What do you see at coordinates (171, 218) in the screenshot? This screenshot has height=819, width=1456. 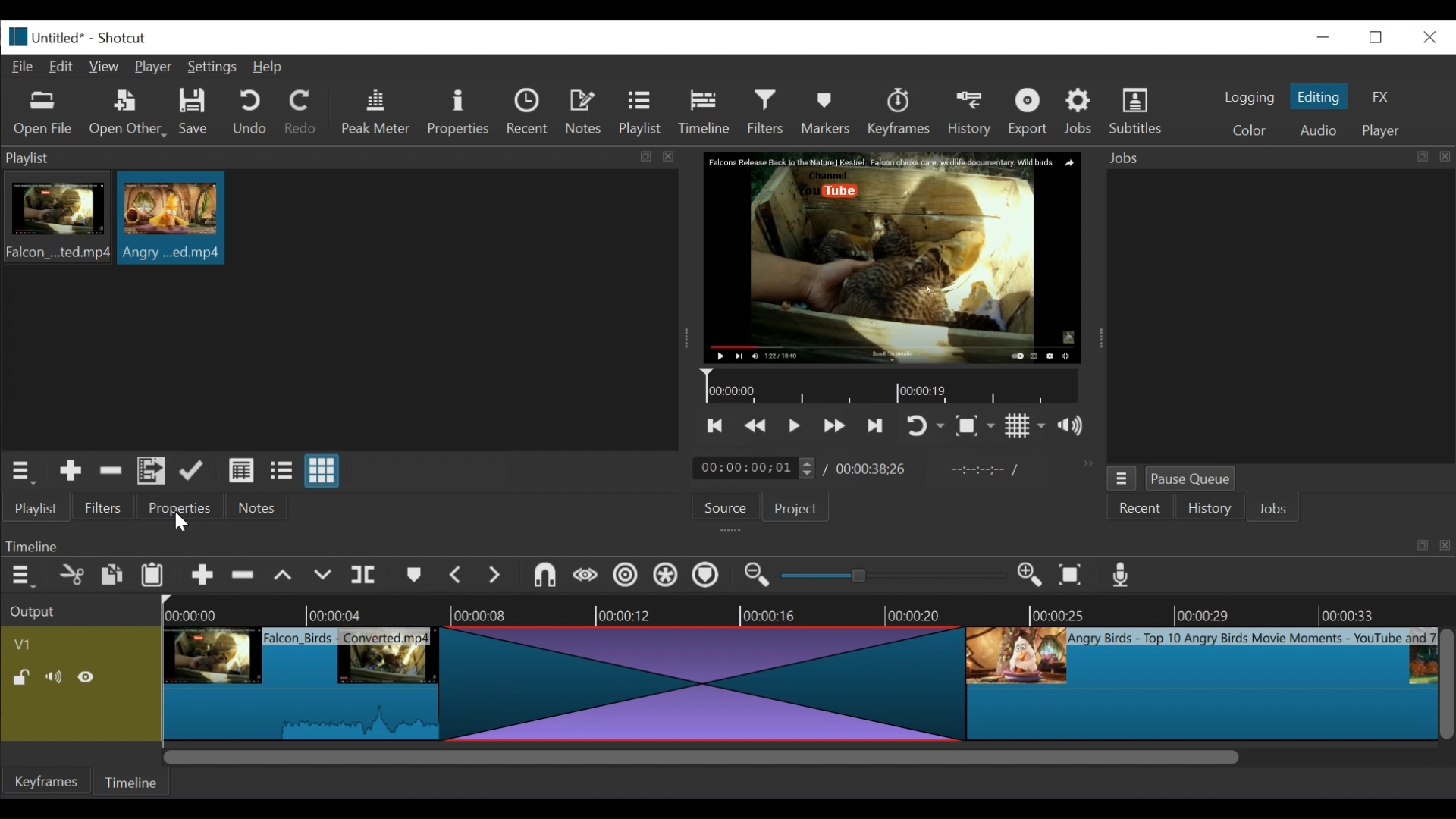 I see `clip` at bounding box center [171, 218].